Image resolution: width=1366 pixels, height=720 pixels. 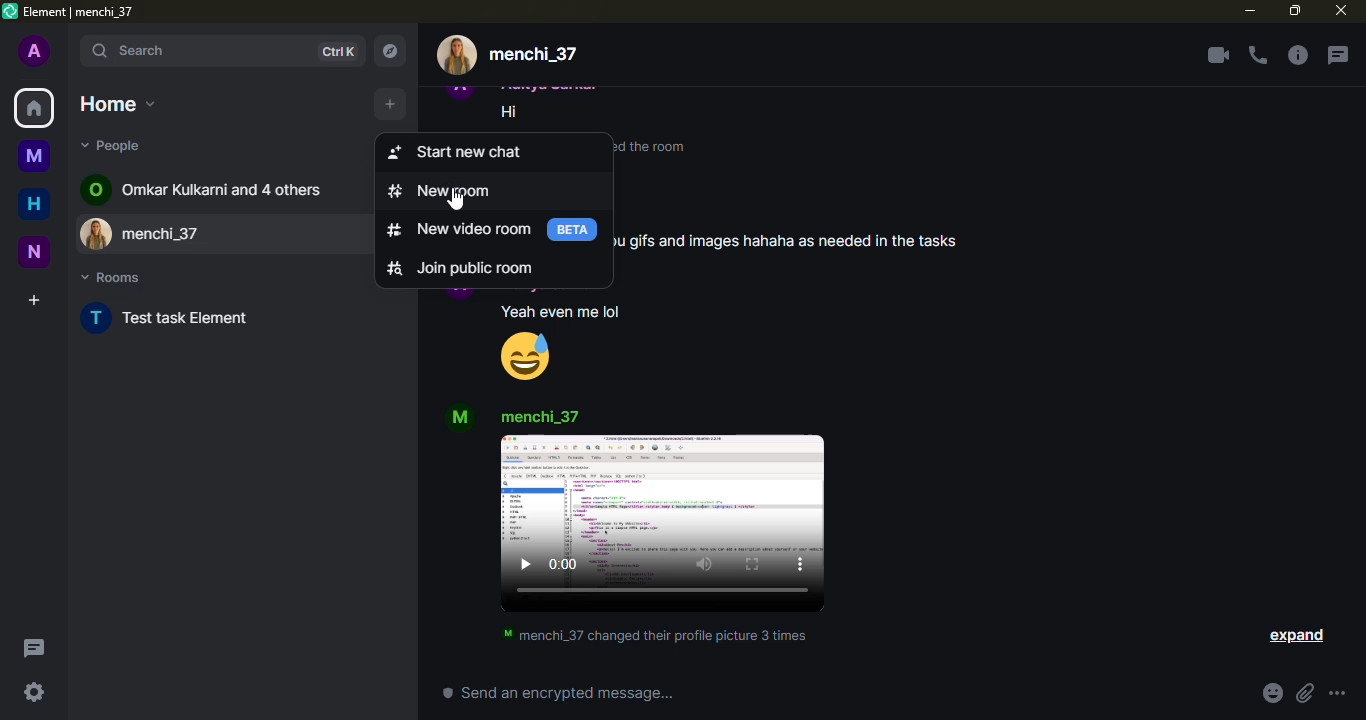 I want to click on people, so click(x=114, y=145).